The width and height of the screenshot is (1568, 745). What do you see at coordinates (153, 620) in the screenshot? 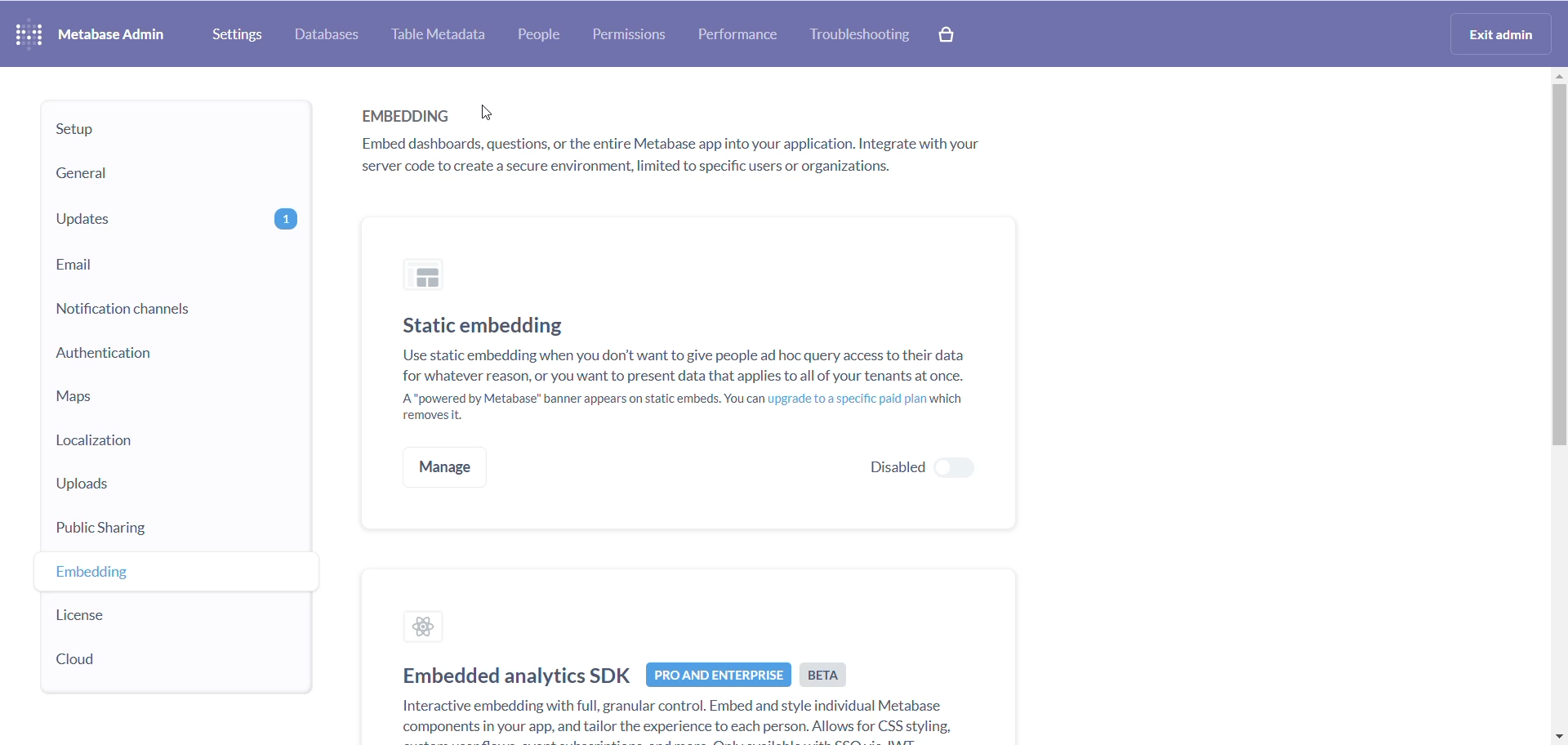
I see `license` at bounding box center [153, 620].